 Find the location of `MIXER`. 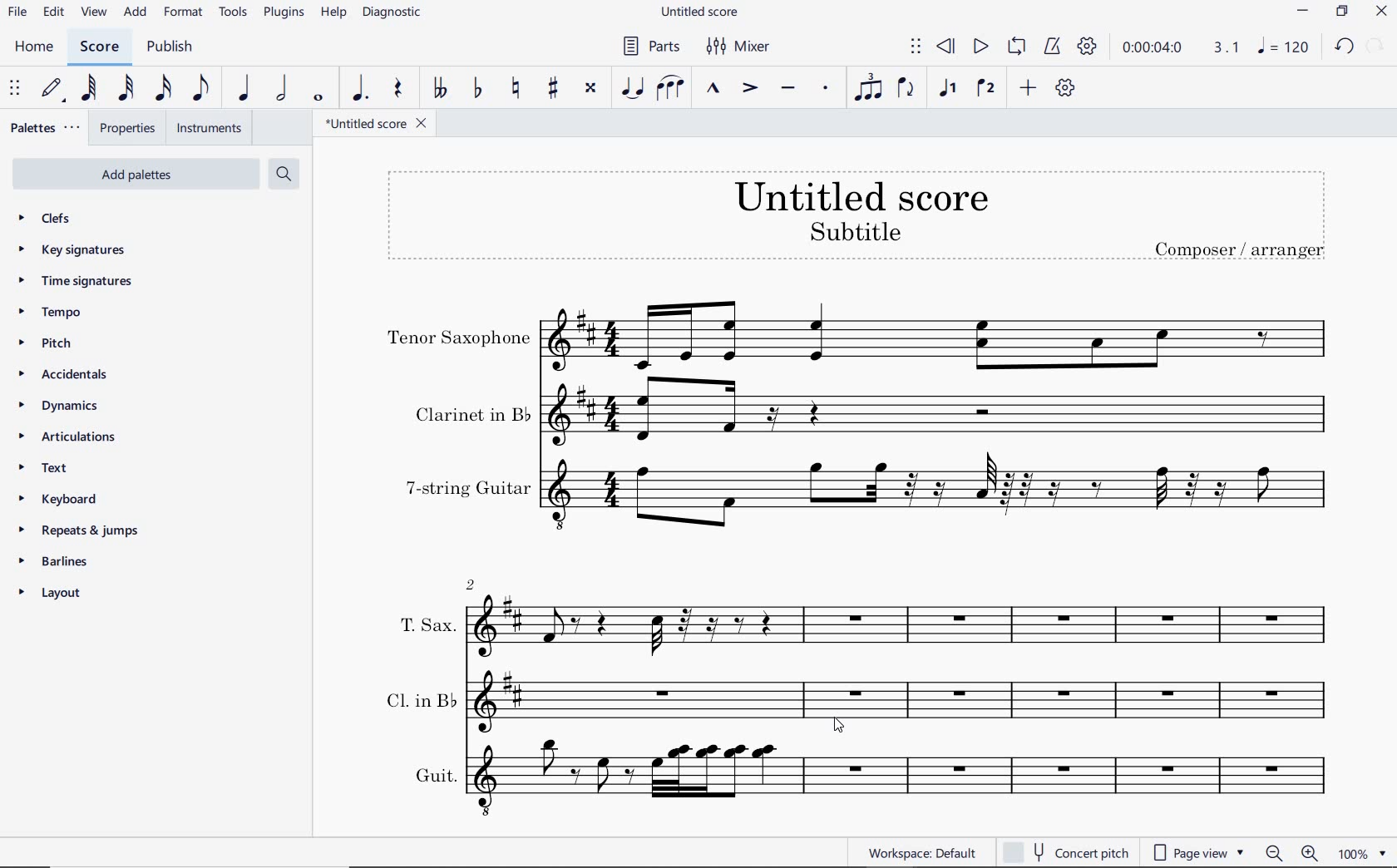

MIXER is located at coordinates (745, 47).